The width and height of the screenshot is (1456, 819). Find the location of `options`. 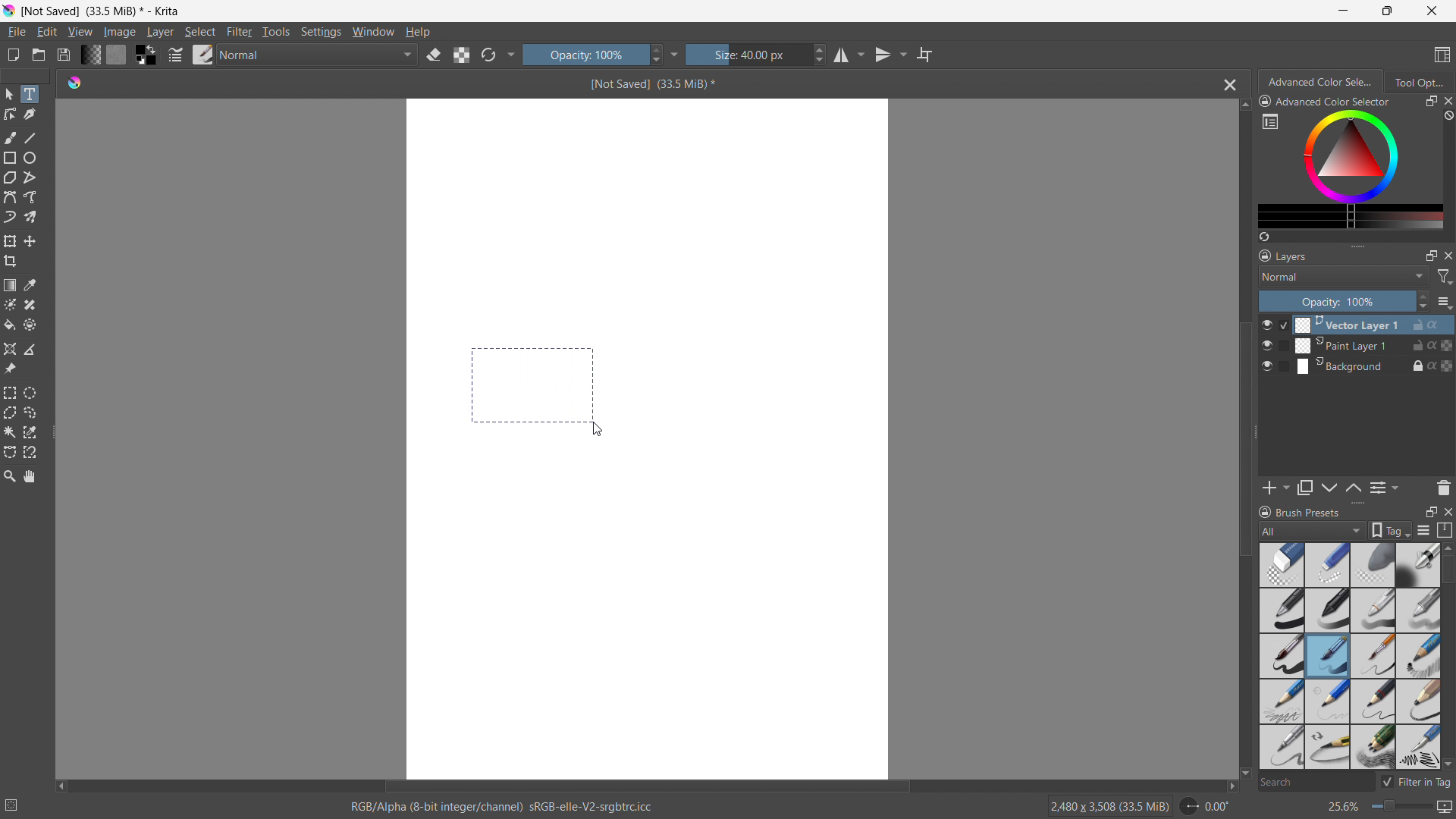

options is located at coordinates (1444, 302).